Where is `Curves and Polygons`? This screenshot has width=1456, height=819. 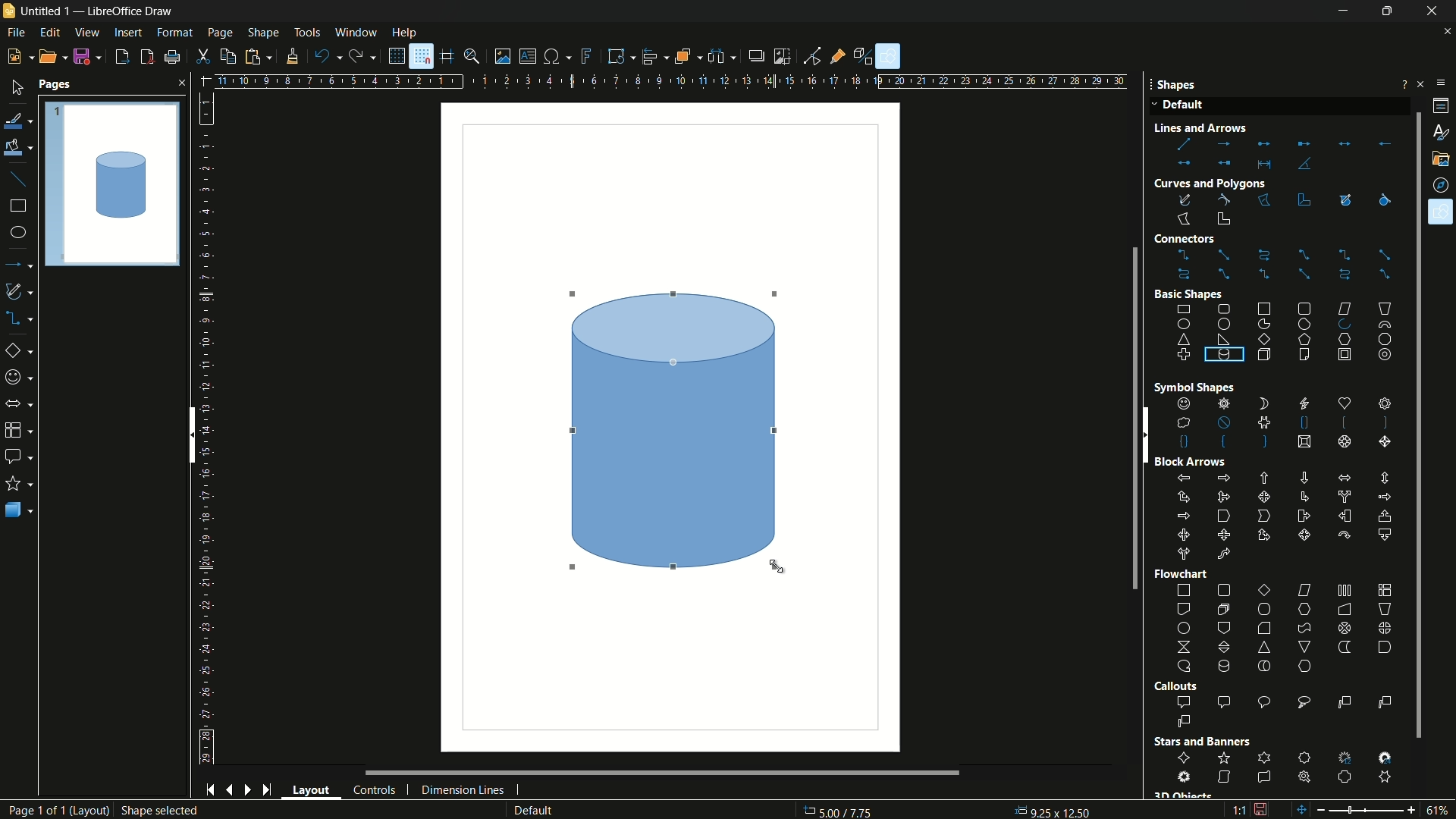 Curves and Polygons is located at coordinates (1210, 181).